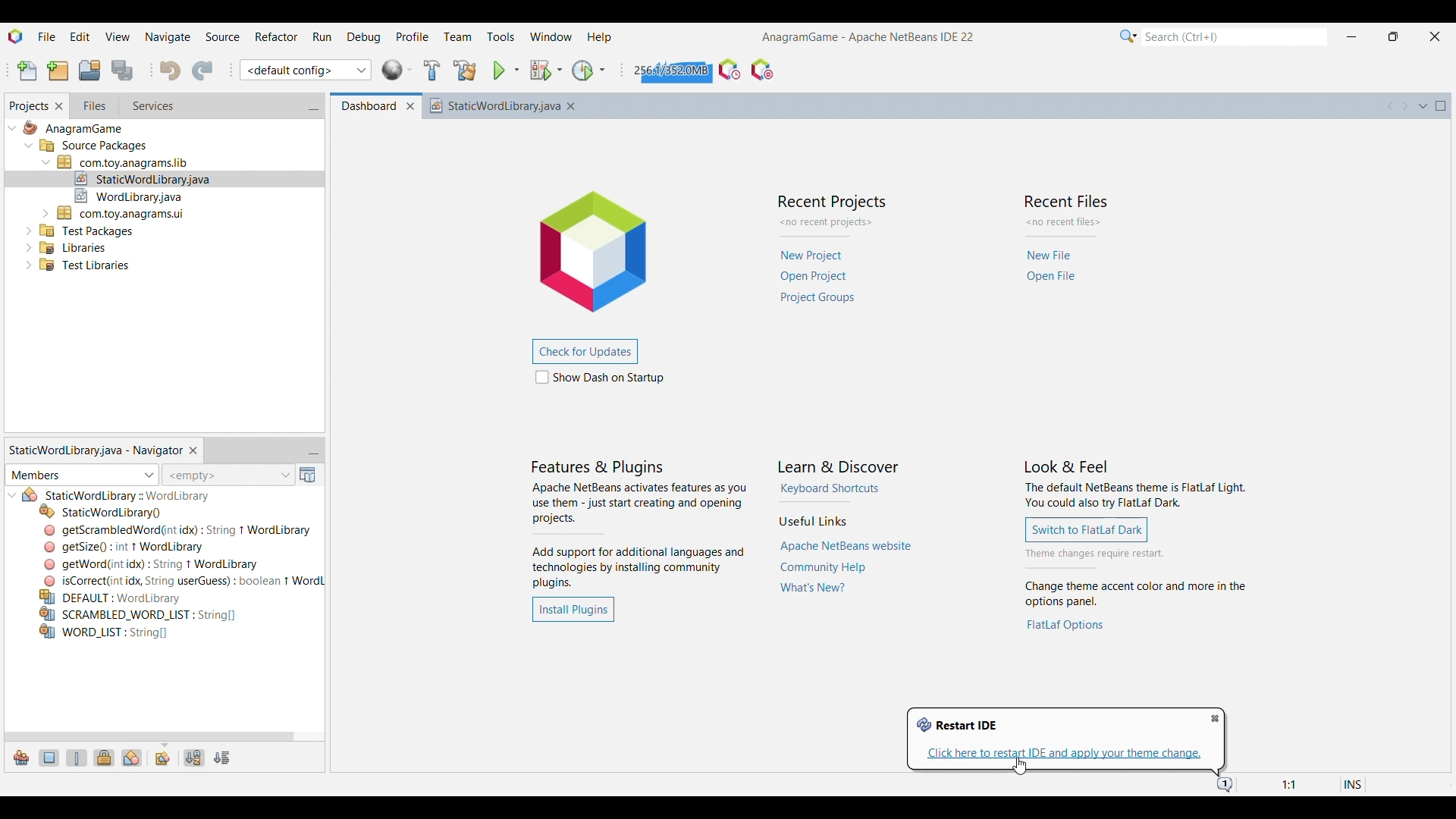  I want to click on New file, so click(27, 71).